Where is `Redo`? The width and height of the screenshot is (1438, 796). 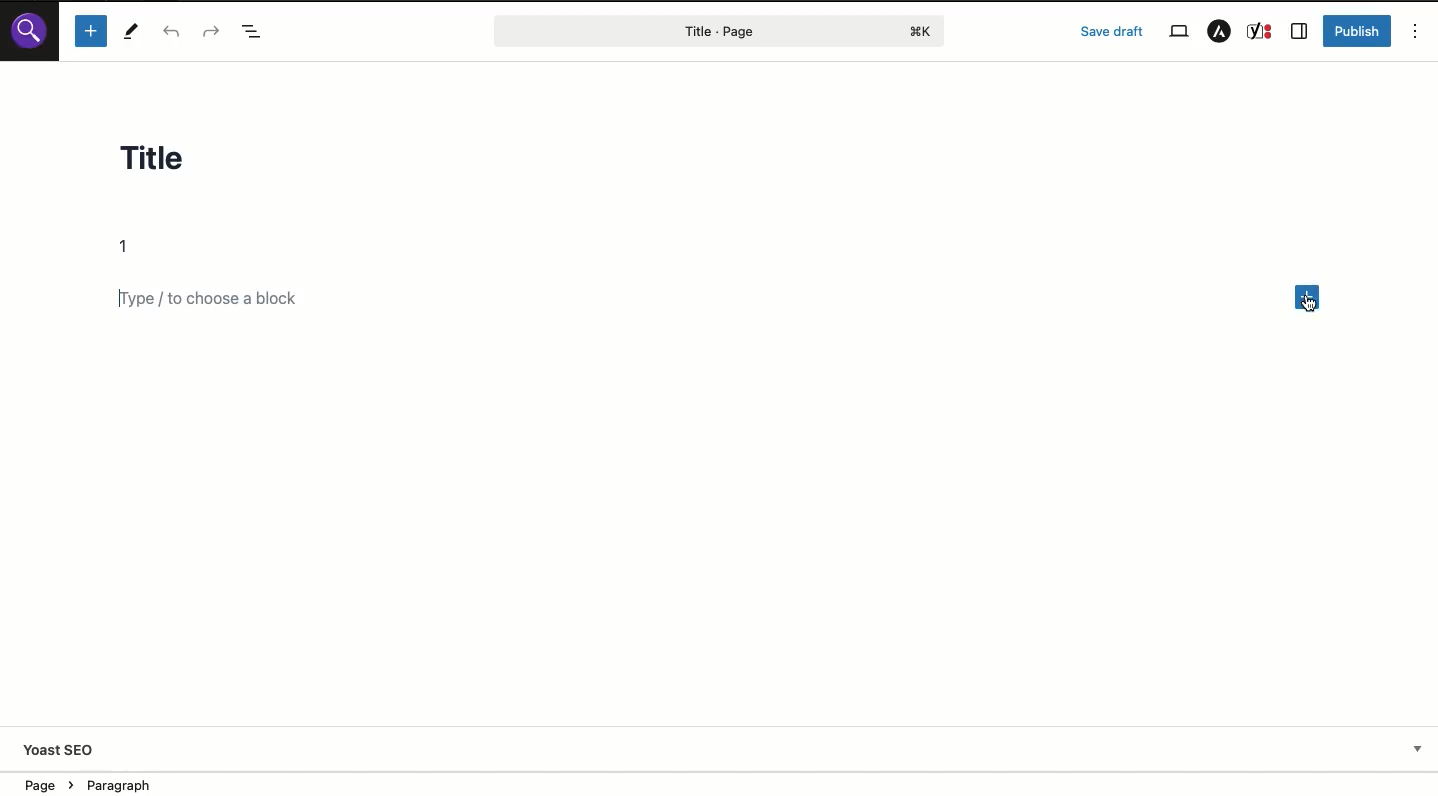 Redo is located at coordinates (210, 30).